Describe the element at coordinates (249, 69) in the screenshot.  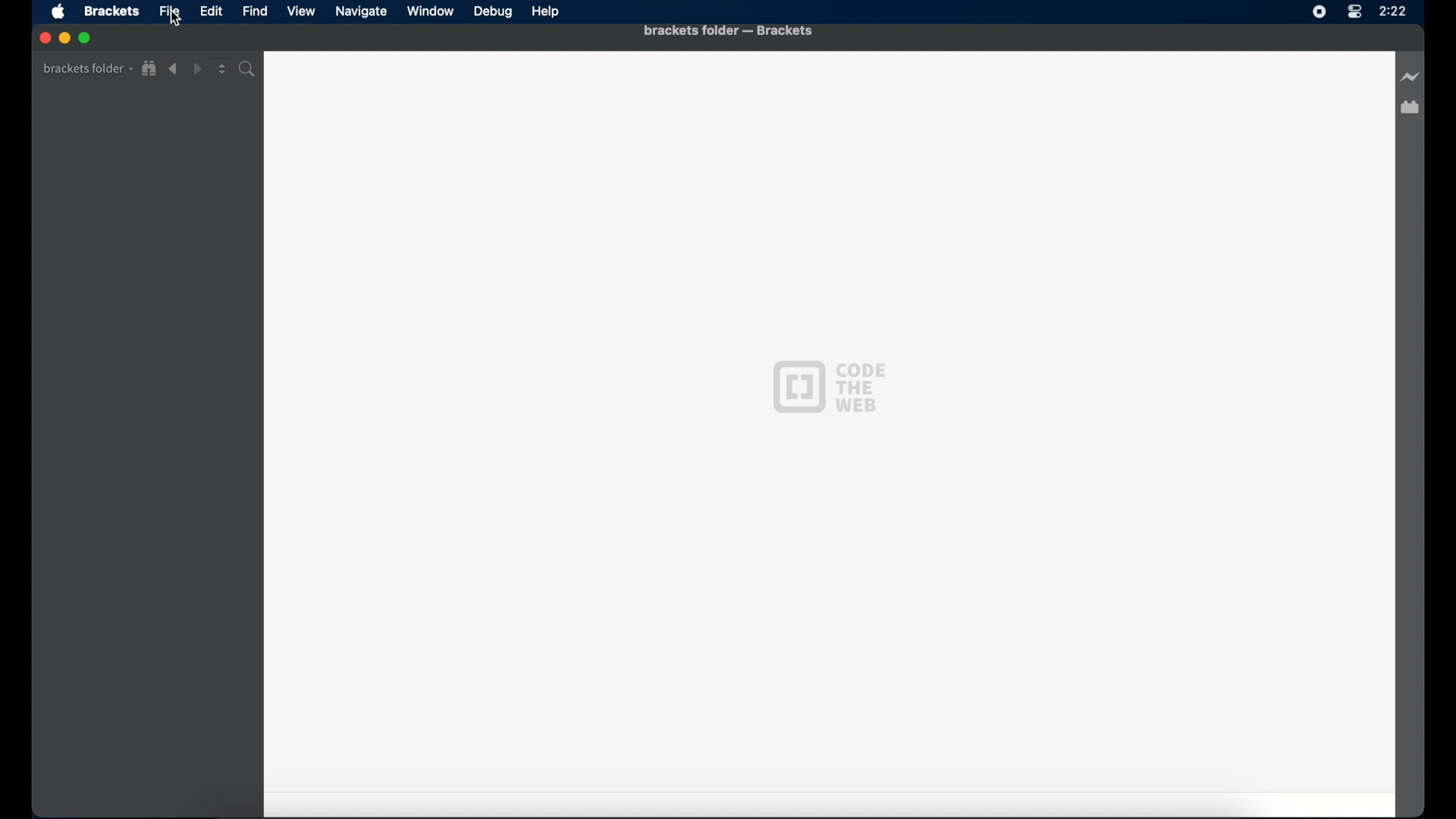
I see `search bar` at that location.